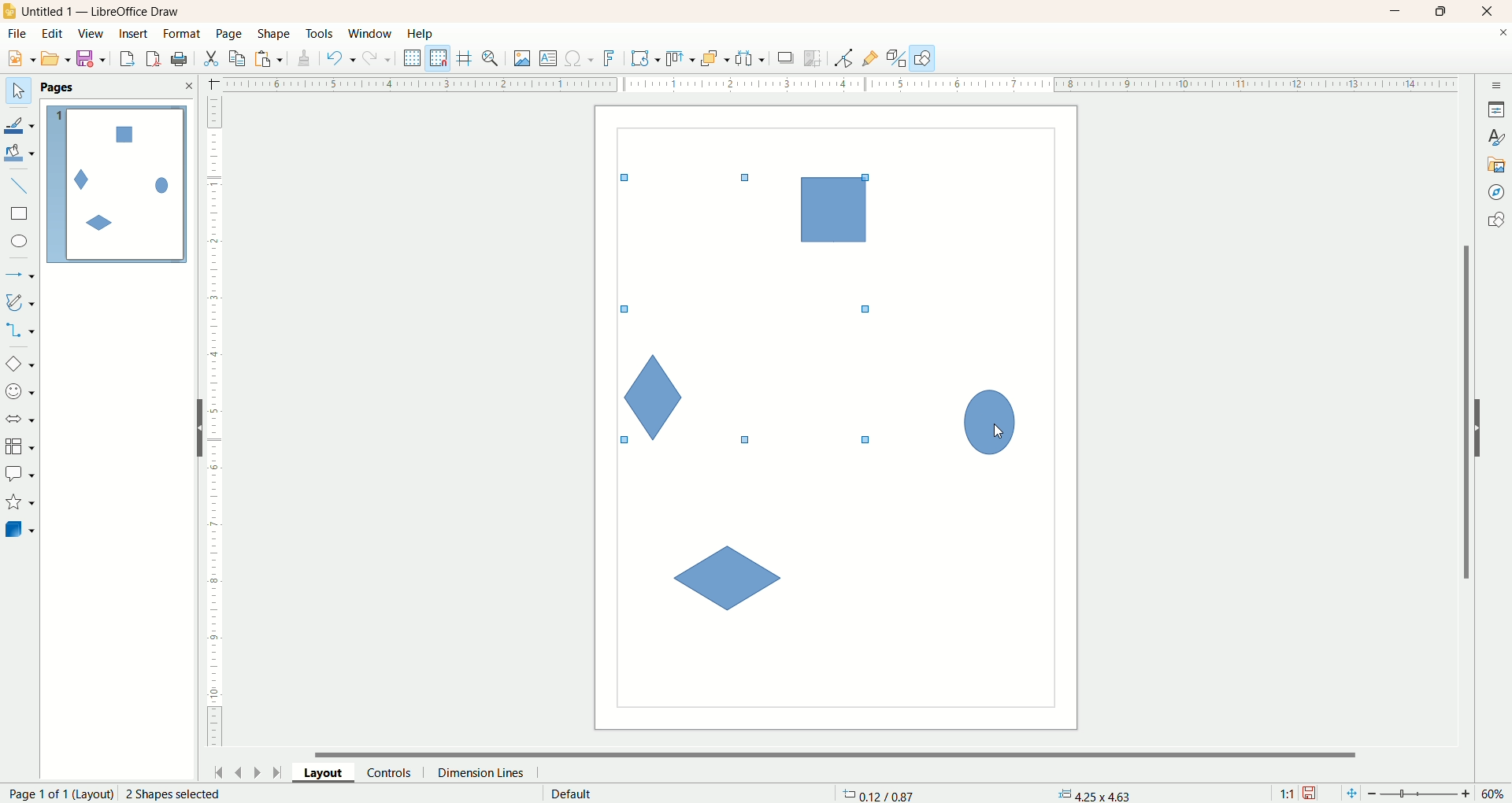 The image size is (1512, 803). Describe the element at coordinates (870, 59) in the screenshot. I see `gluepoint function` at that location.